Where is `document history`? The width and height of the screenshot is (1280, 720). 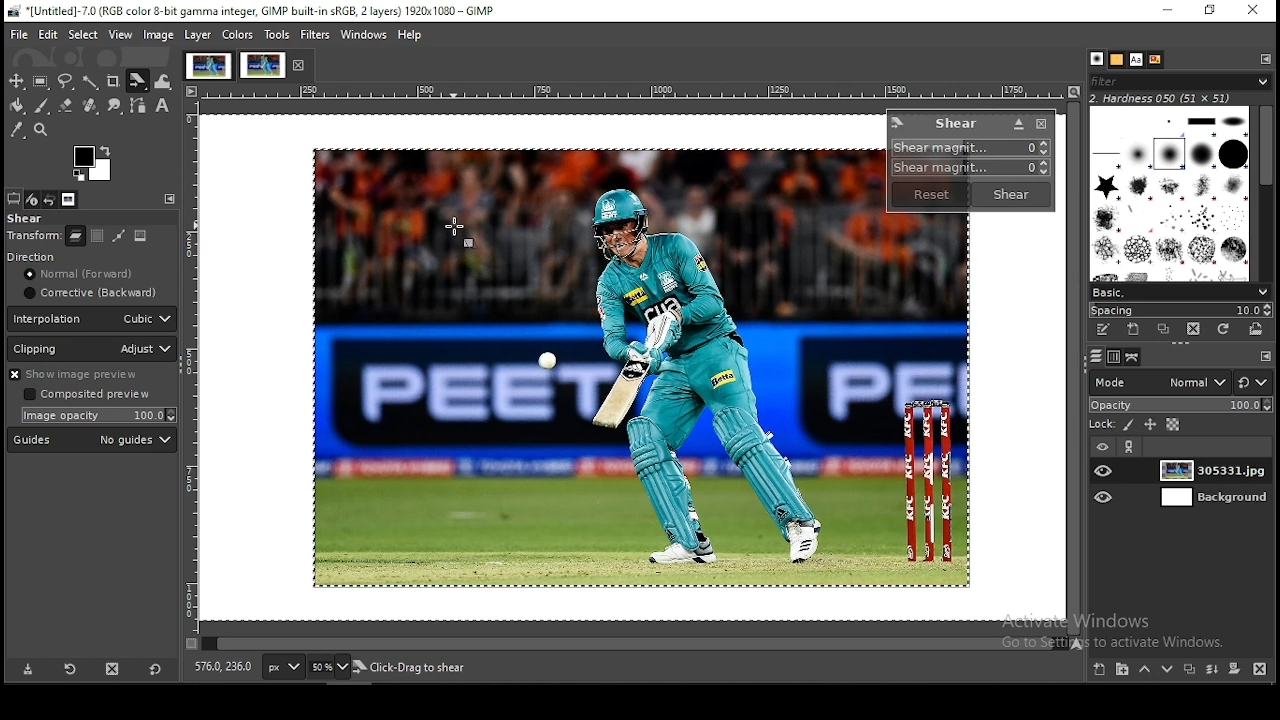
document history is located at coordinates (1153, 60).